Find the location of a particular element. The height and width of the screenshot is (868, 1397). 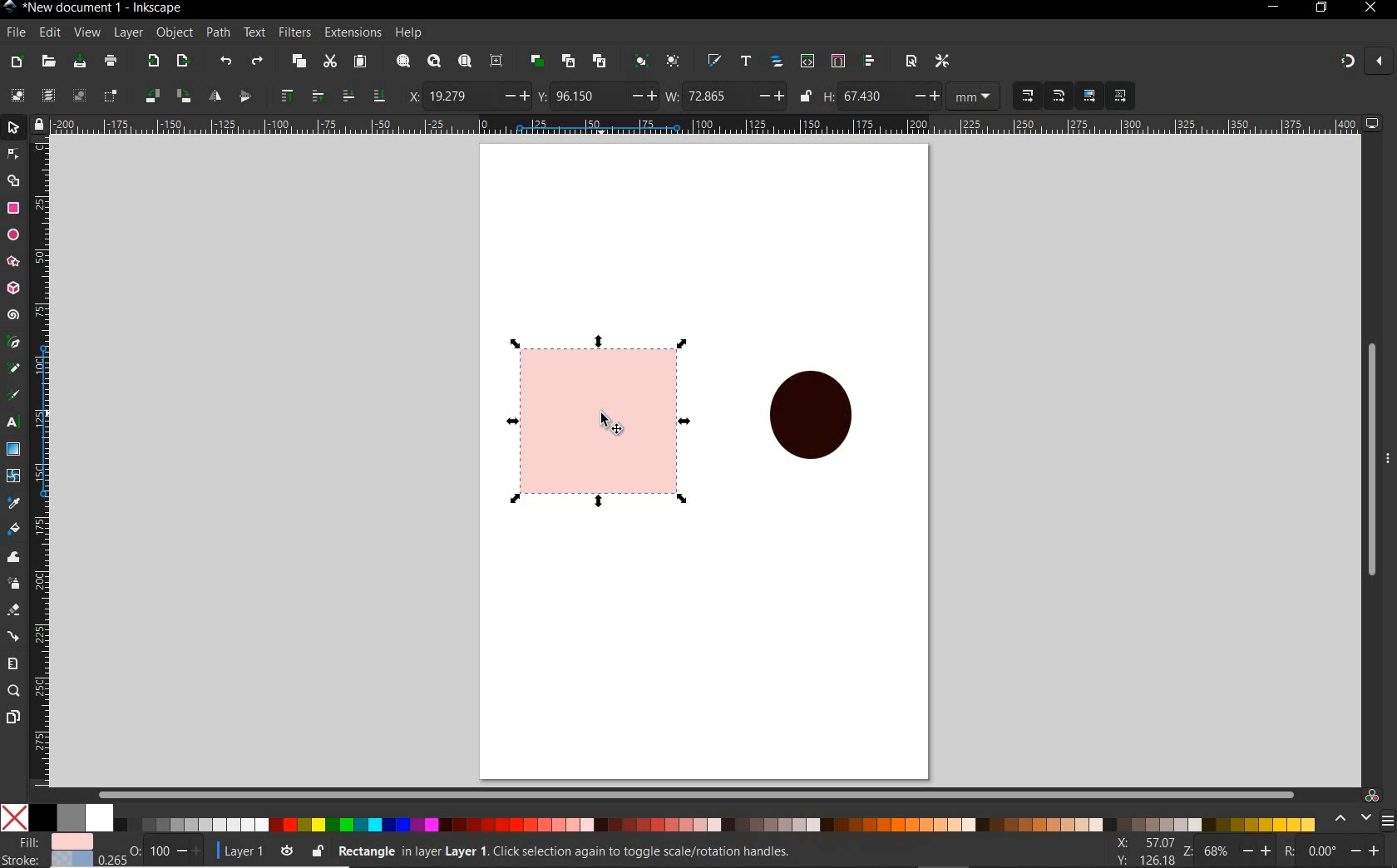

lock or unlock width and height is located at coordinates (807, 95).